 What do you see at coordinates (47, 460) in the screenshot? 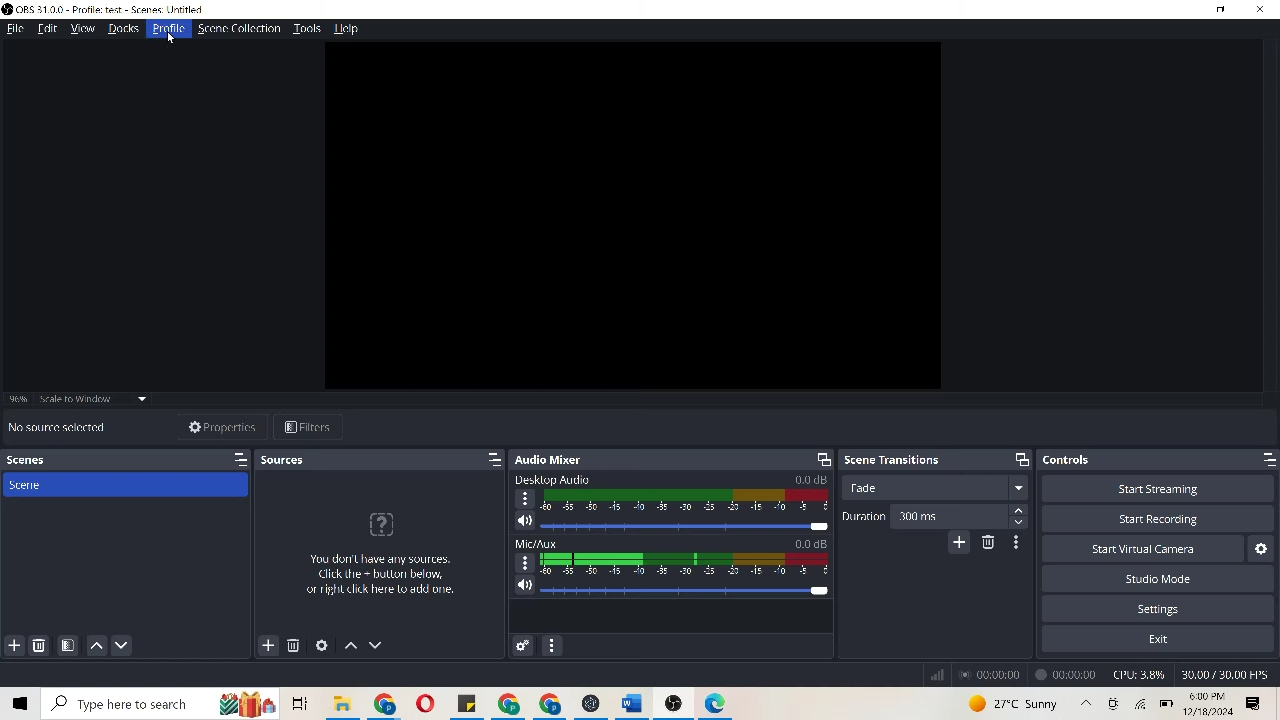
I see `scenes` at bounding box center [47, 460].